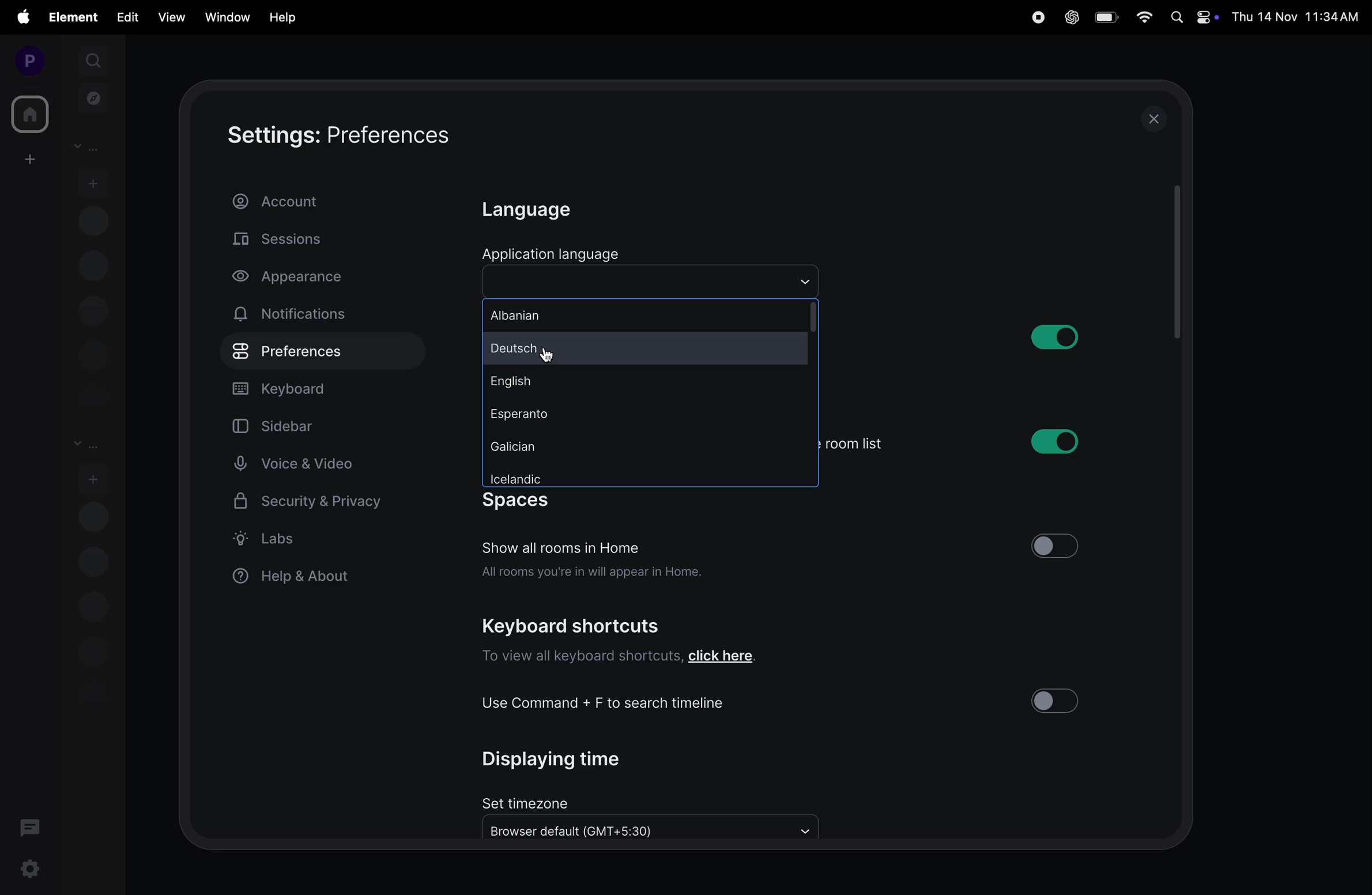 The width and height of the screenshot is (1372, 895). I want to click on apple menu, so click(17, 18).